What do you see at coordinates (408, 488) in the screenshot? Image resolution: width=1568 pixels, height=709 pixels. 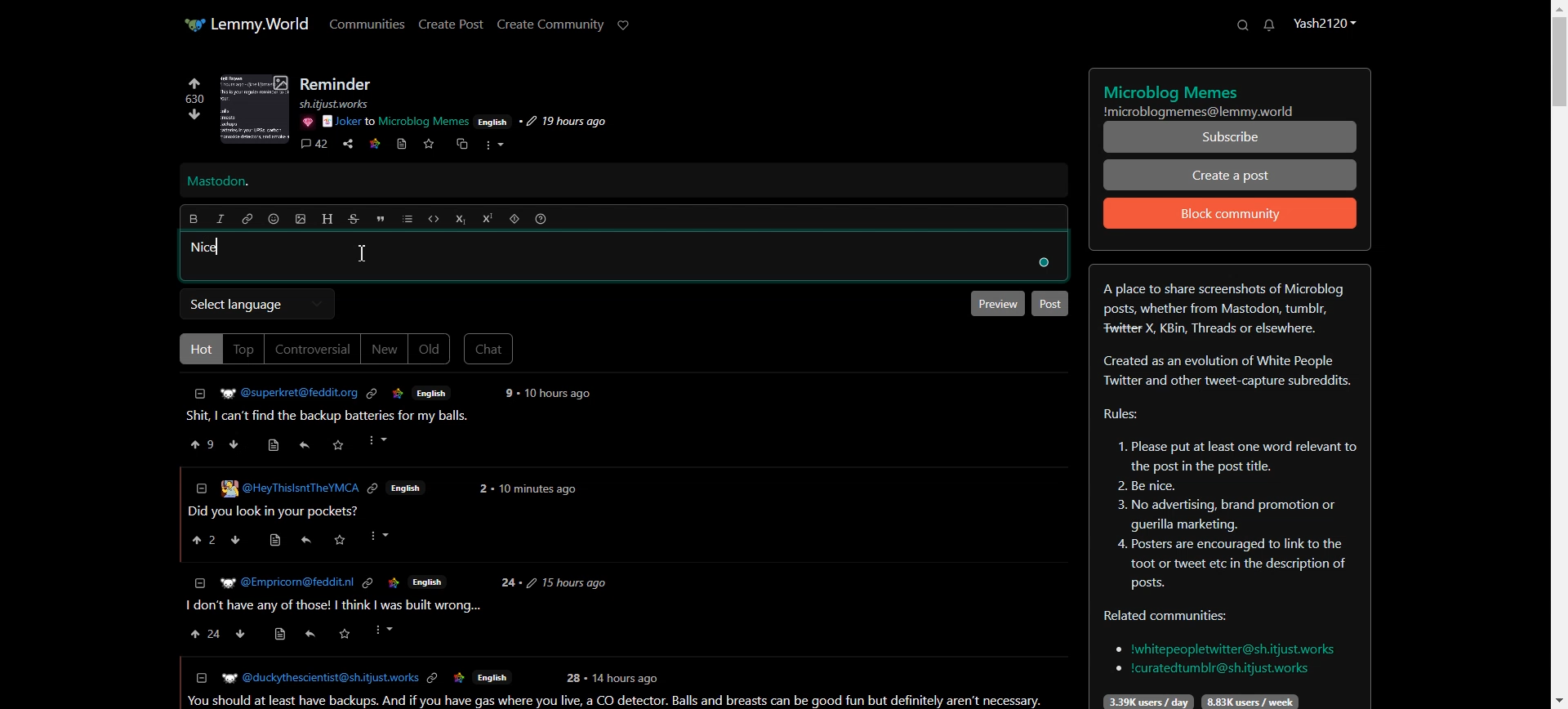 I see `English` at bounding box center [408, 488].